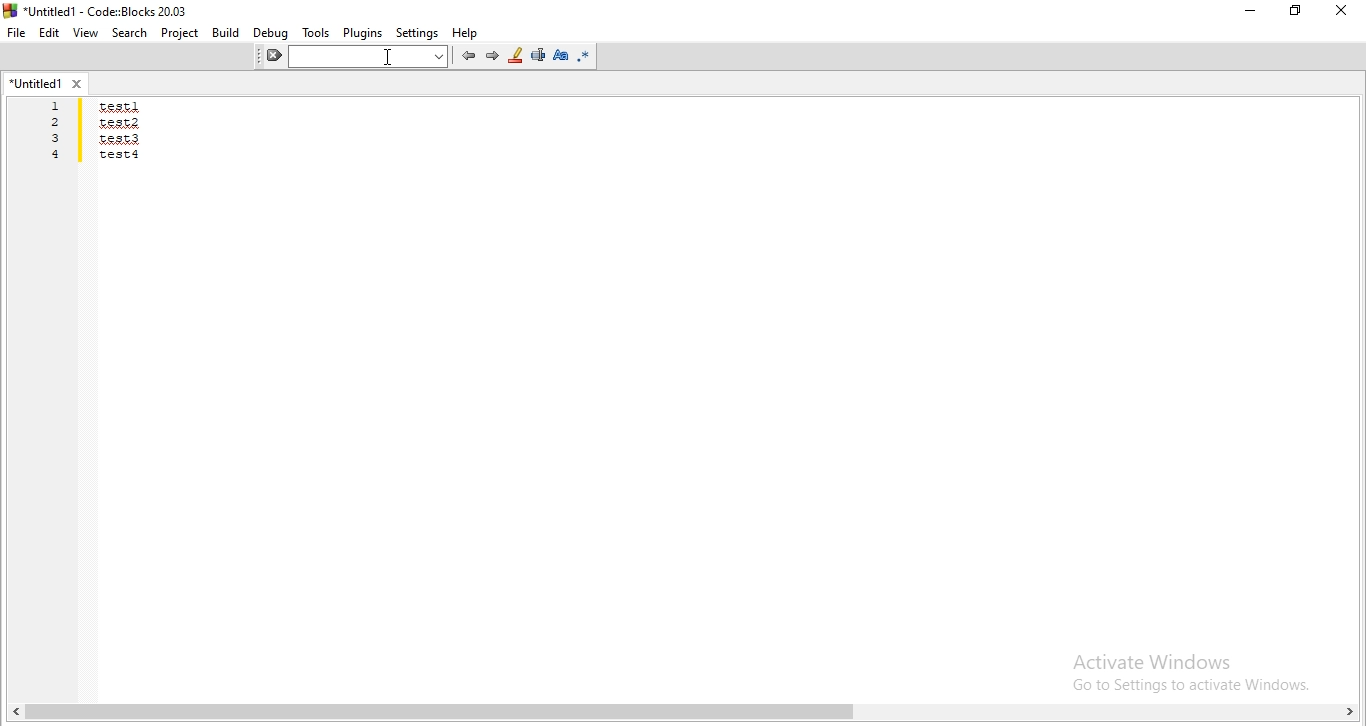 Image resolution: width=1366 pixels, height=726 pixels. I want to click on cursor, so click(387, 60).